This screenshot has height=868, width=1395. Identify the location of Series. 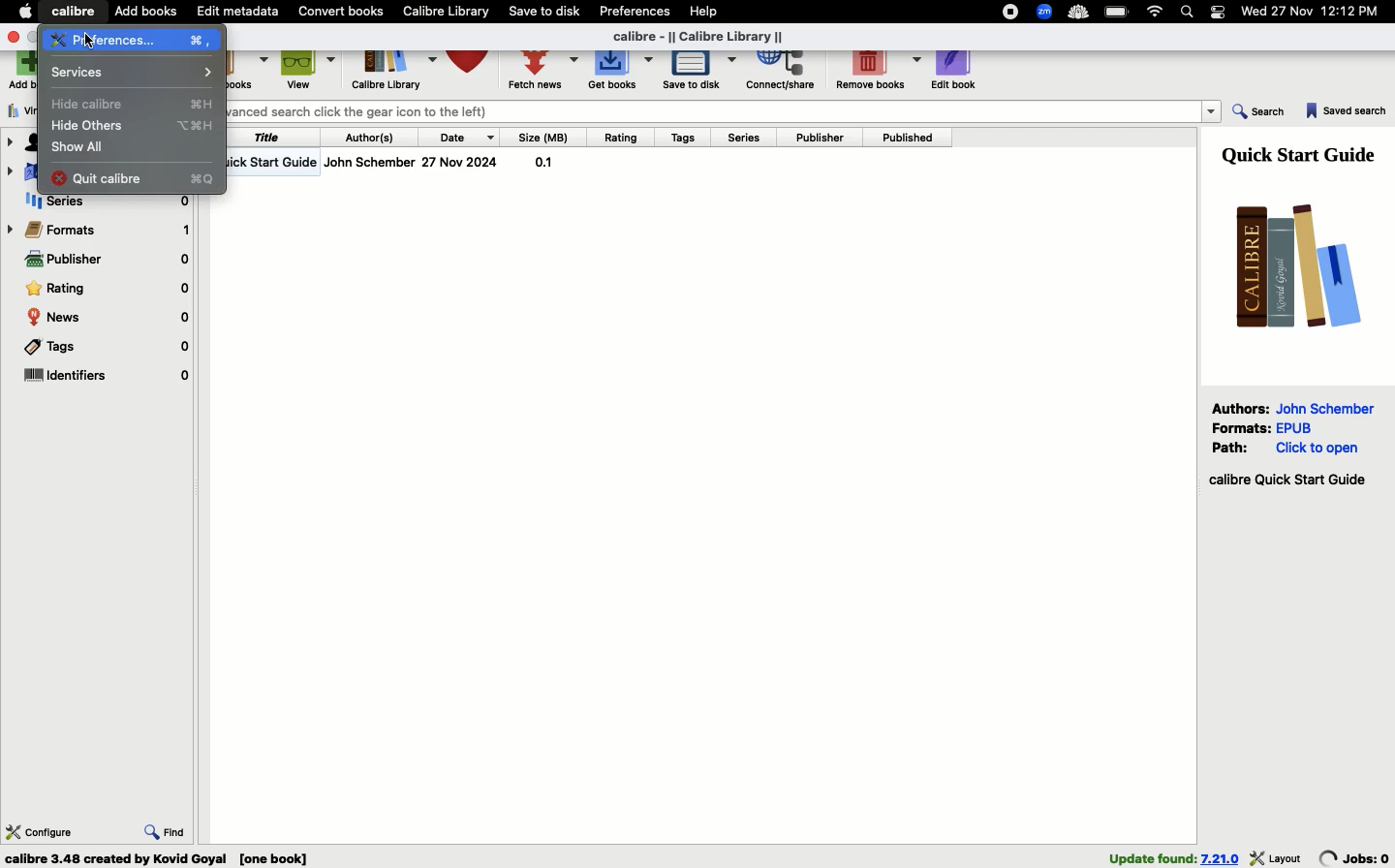
(745, 138).